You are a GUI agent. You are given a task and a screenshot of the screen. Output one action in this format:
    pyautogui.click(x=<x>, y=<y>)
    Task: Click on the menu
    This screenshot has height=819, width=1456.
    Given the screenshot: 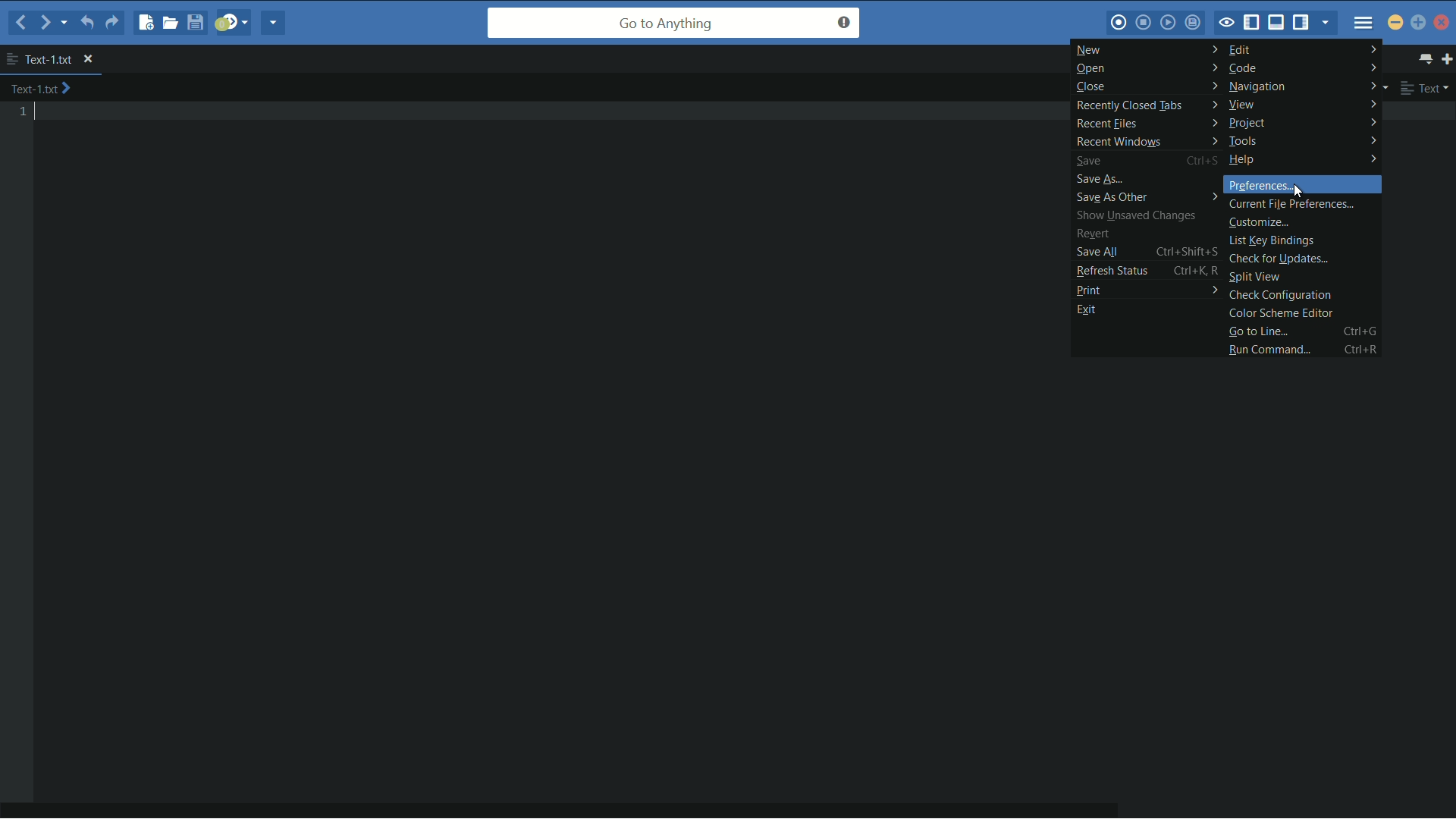 What is the action you would take?
    pyautogui.click(x=1363, y=18)
    